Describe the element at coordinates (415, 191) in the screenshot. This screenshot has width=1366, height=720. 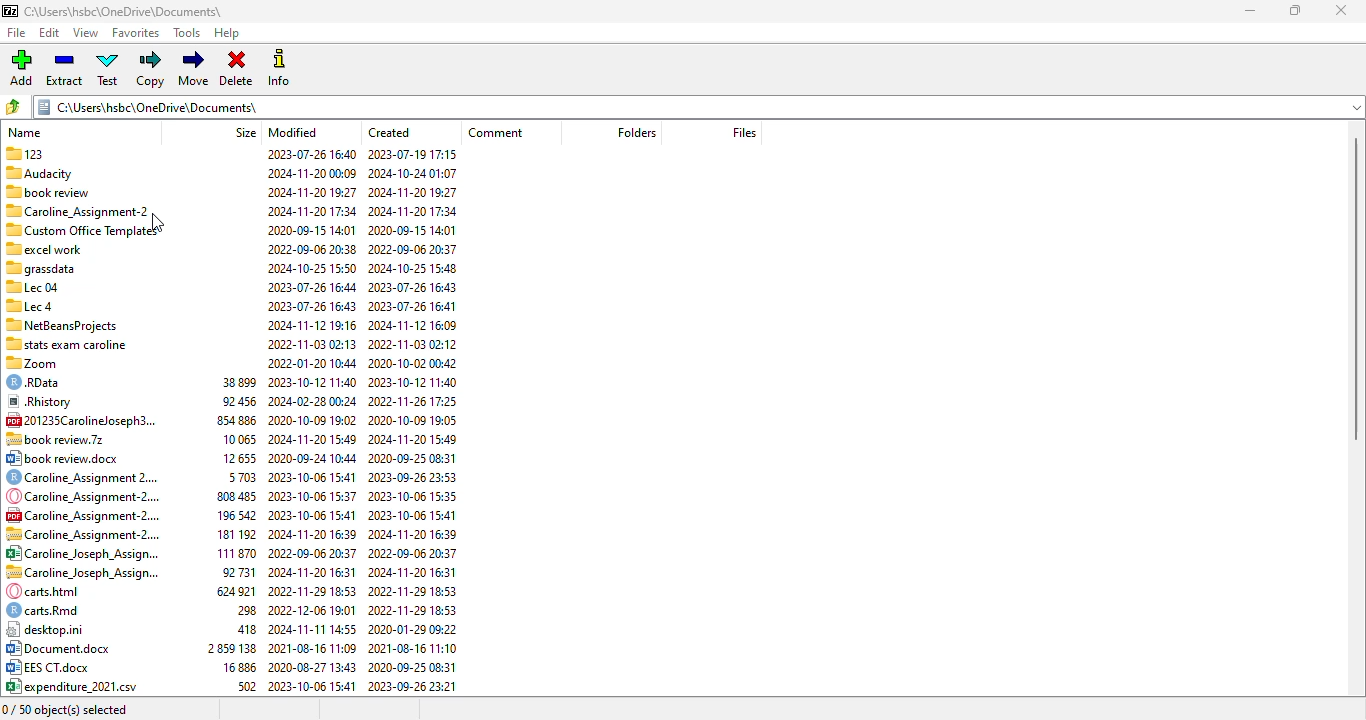
I see `2024-11-20 19:27` at that location.